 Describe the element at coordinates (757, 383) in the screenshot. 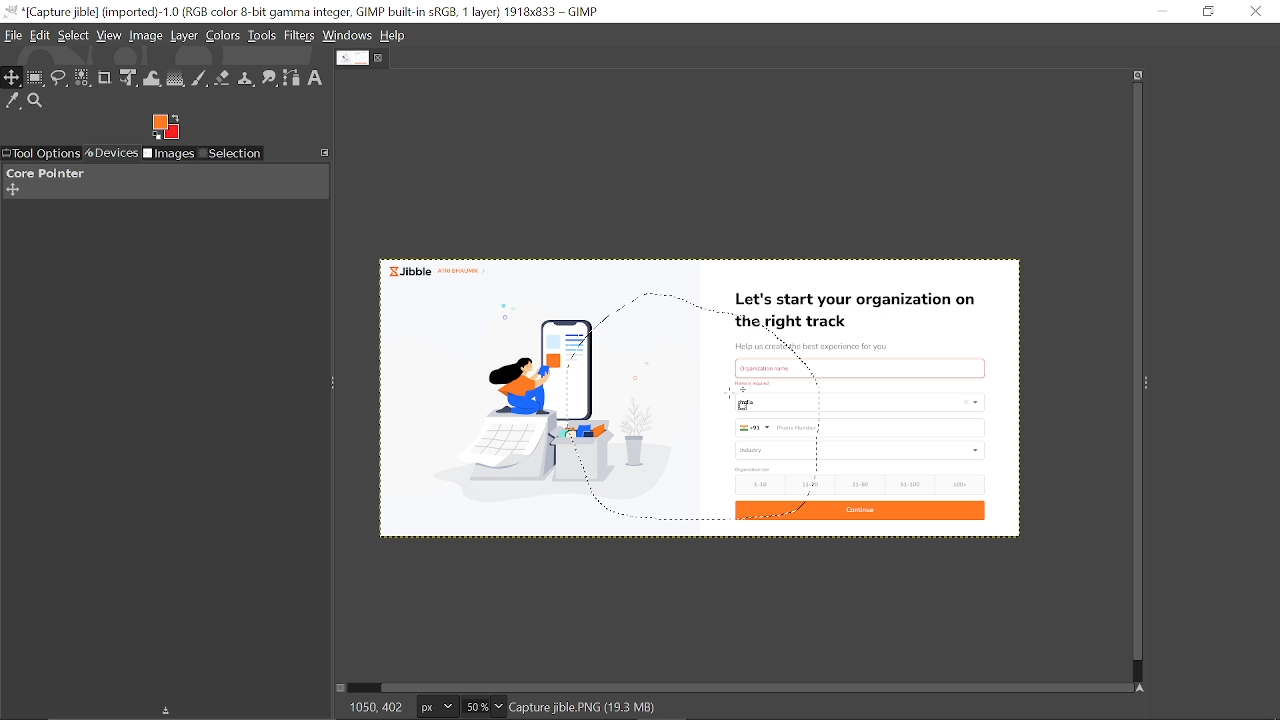

I see `` at that location.